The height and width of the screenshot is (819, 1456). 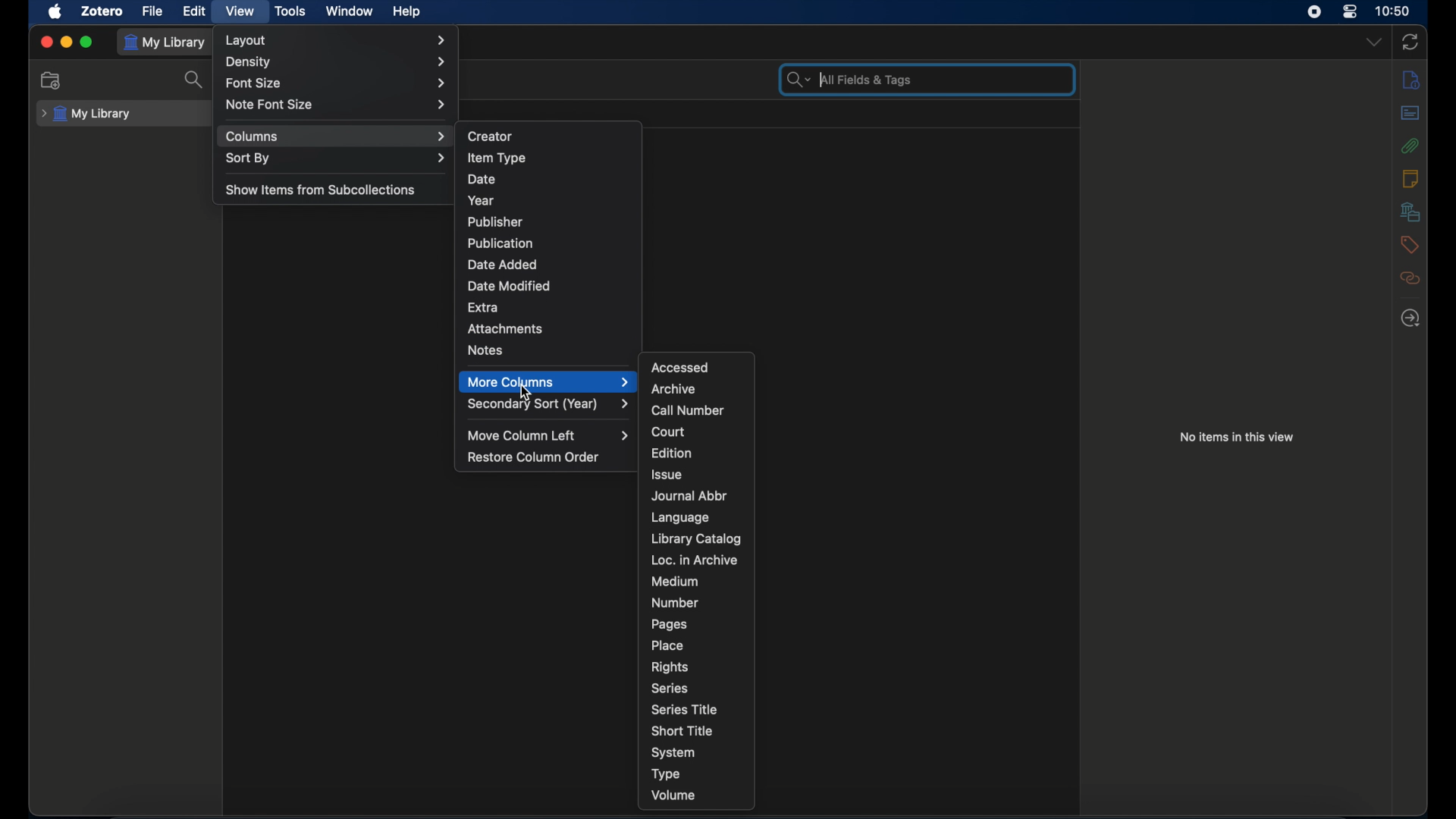 I want to click on date  modified, so click(x=510, y=286).